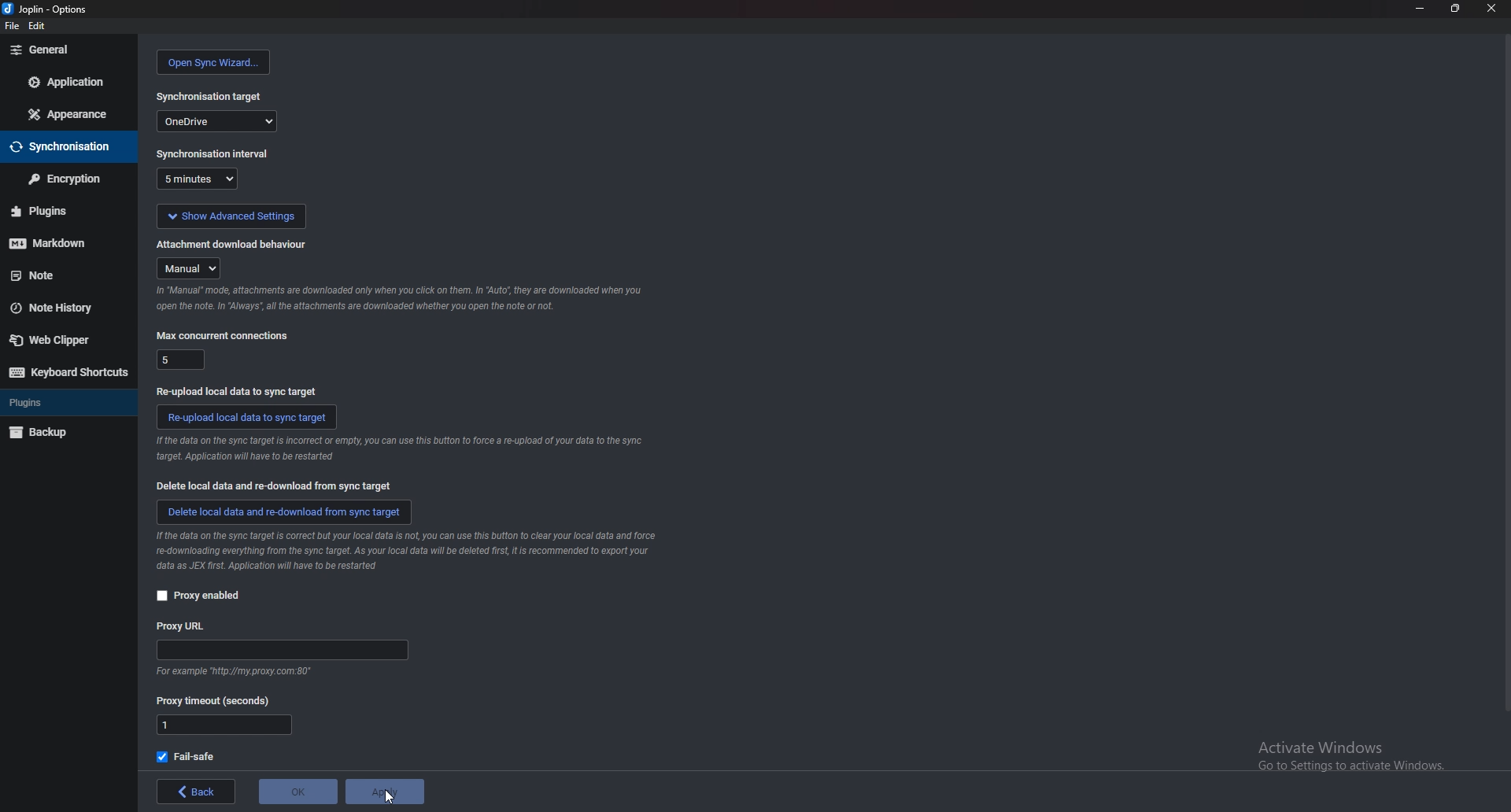  Describe the element at coordinates (407, 553) in the screenshot. I see `info` at that location.